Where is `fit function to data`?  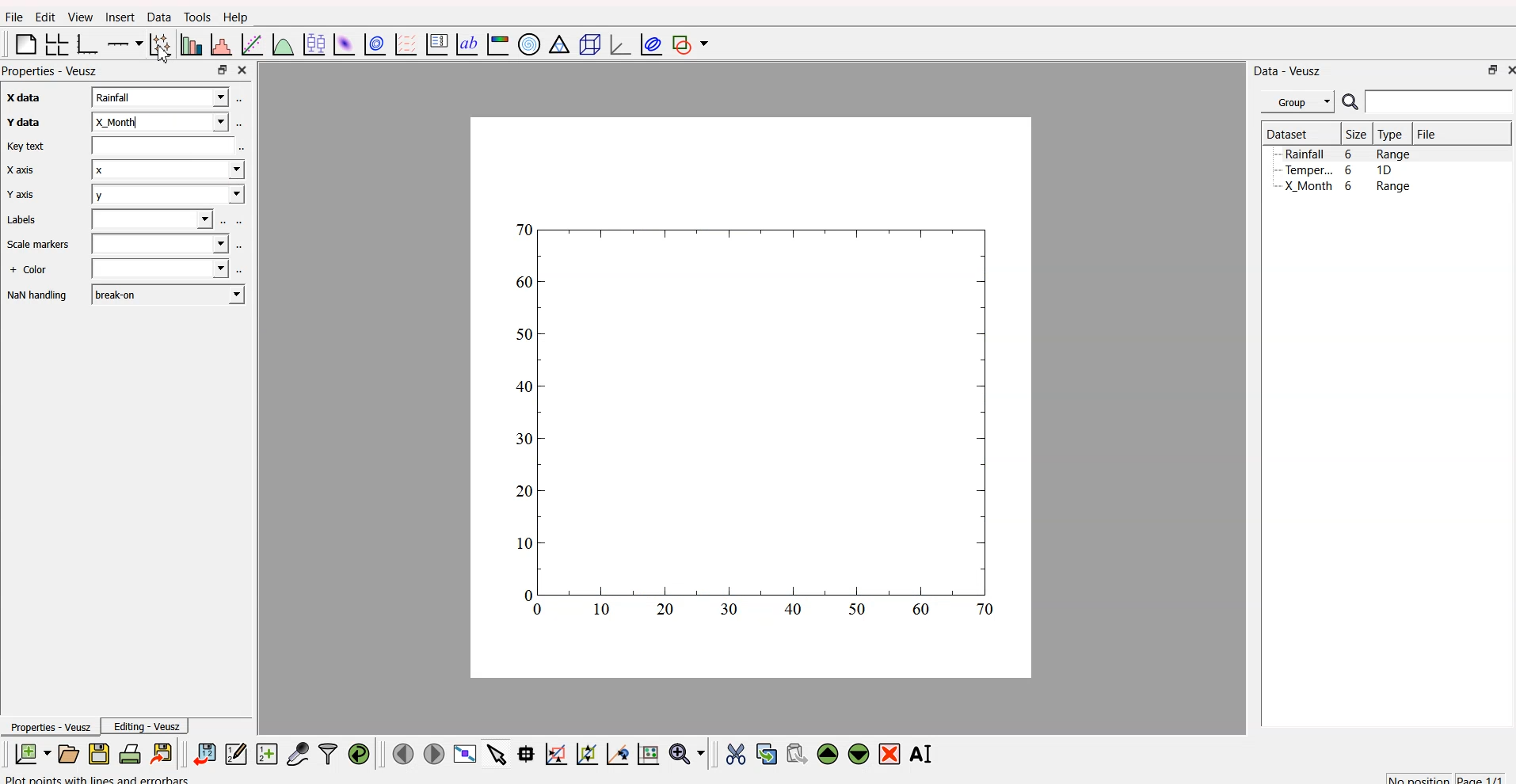
fit function to data is located at coordinates (252, 45).